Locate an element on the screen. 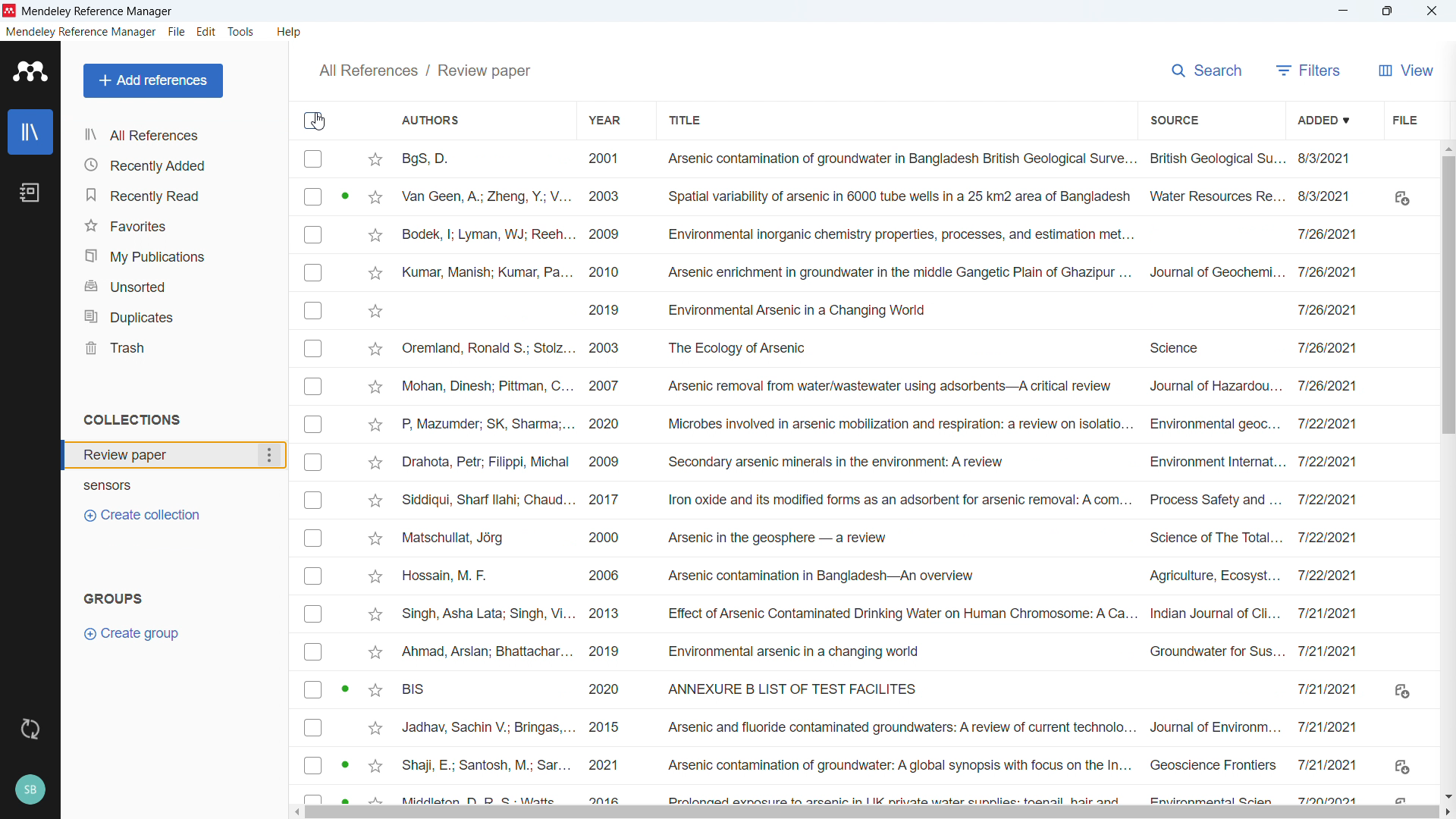  Ba, Sidy; Jones, J. Peter; ... 2014 Hybrid bioreactor (HBR) of hollow fiber microfilter membrane and cross-linked... Journal of Hazardou... 10/22/2024 is located at coordinates (883, 575).